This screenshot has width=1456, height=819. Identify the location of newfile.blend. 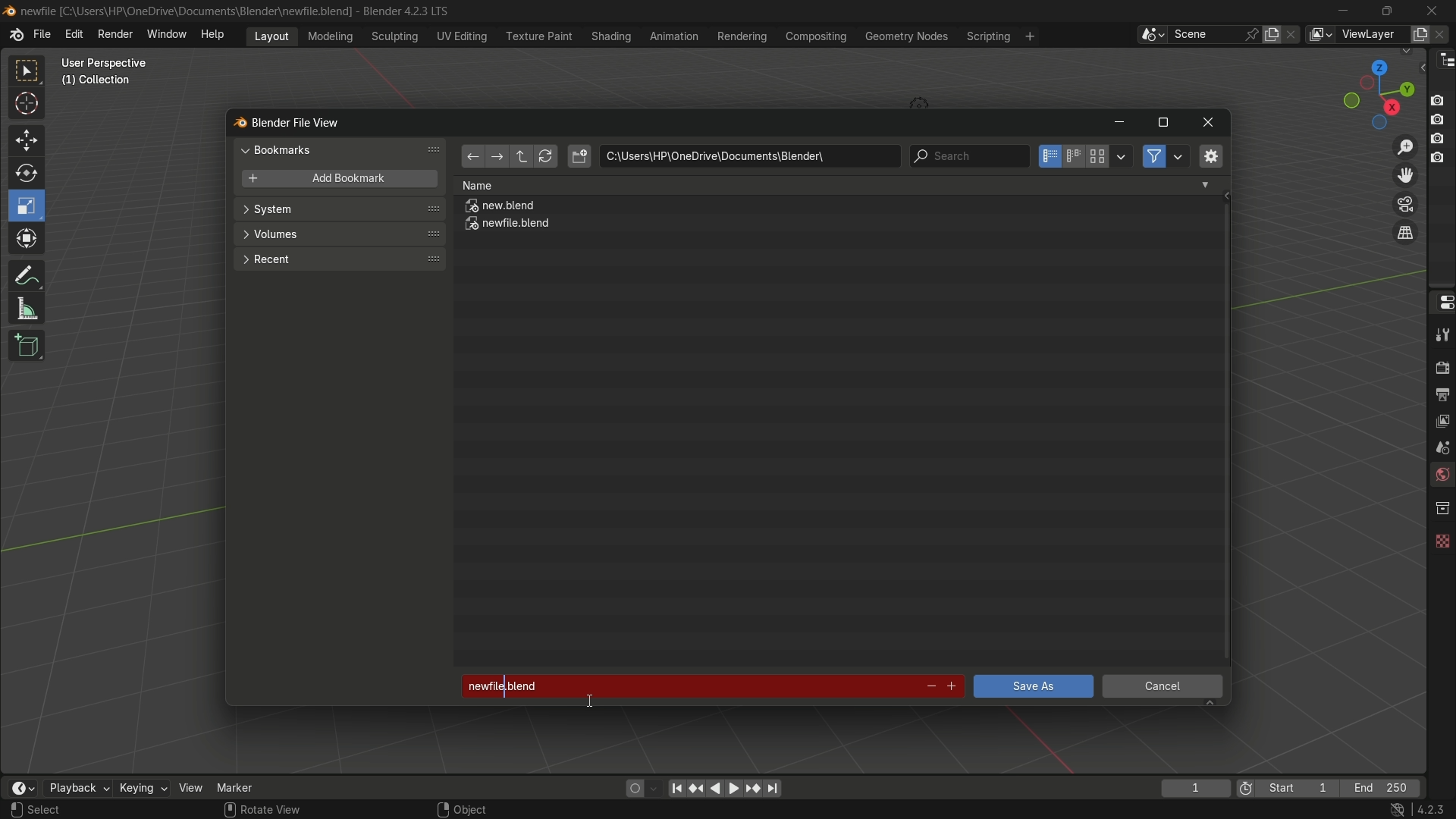
(686, 683).